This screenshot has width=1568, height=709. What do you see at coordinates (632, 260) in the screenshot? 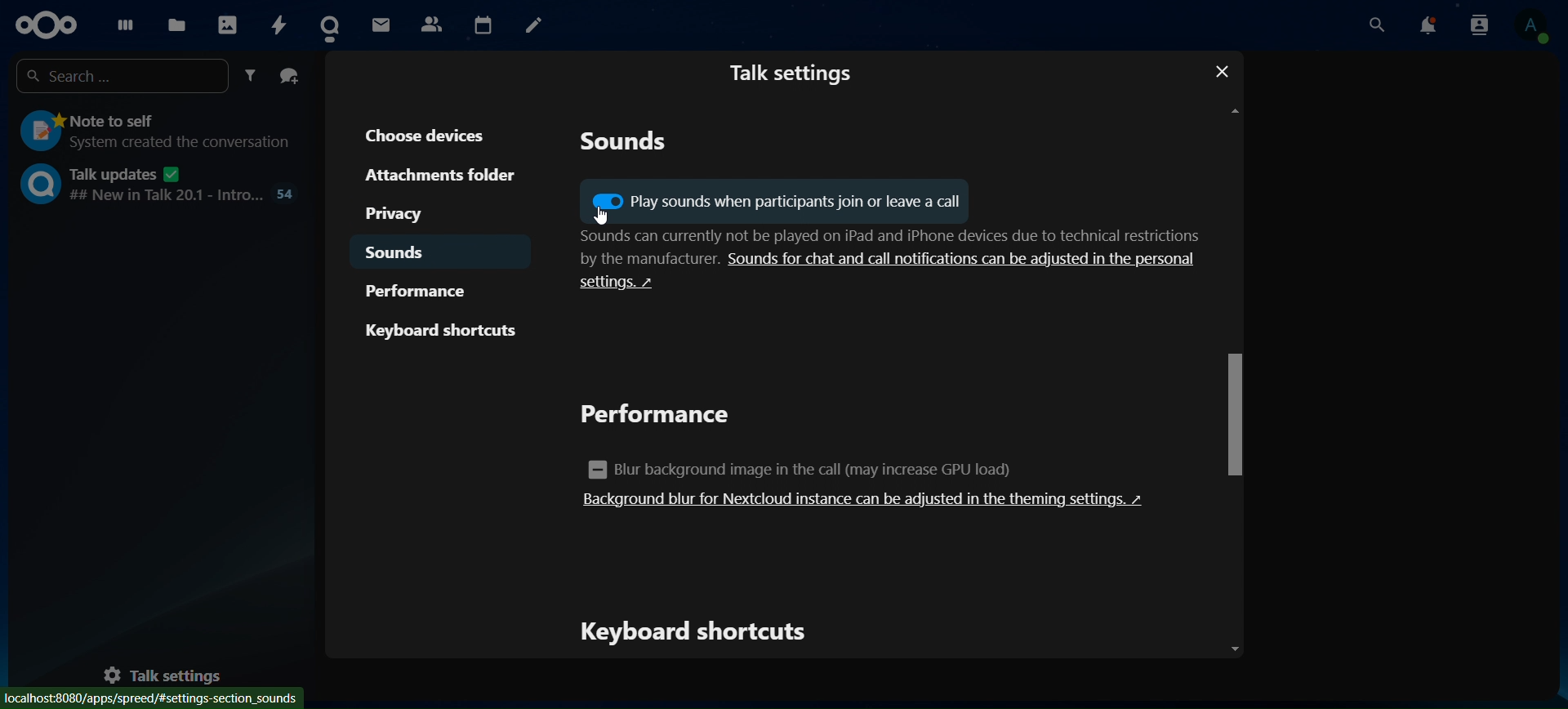
I see `by the manufacturer` at bounding box center [632, 260].